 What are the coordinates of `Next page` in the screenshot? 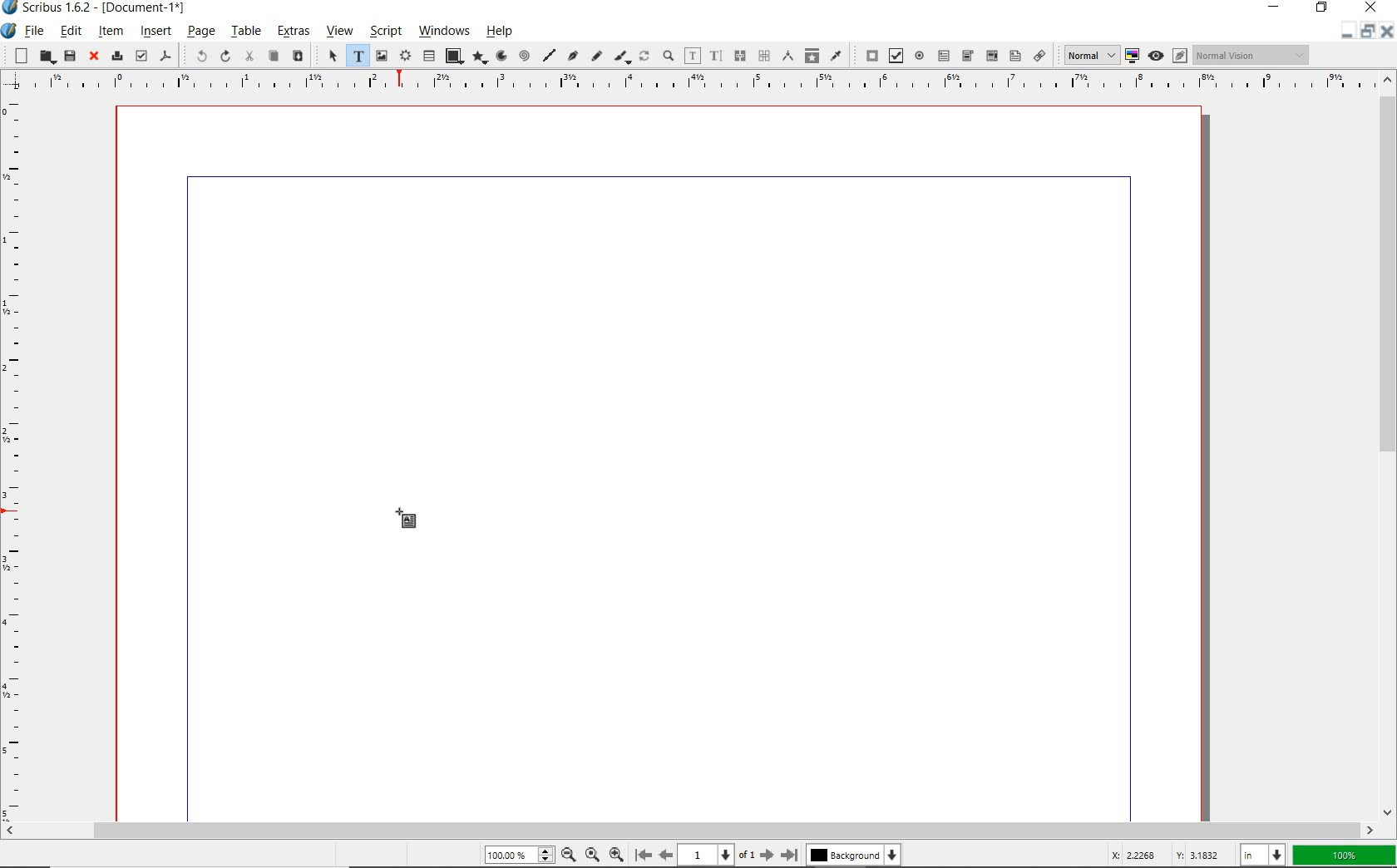 It's located at (766, 855).